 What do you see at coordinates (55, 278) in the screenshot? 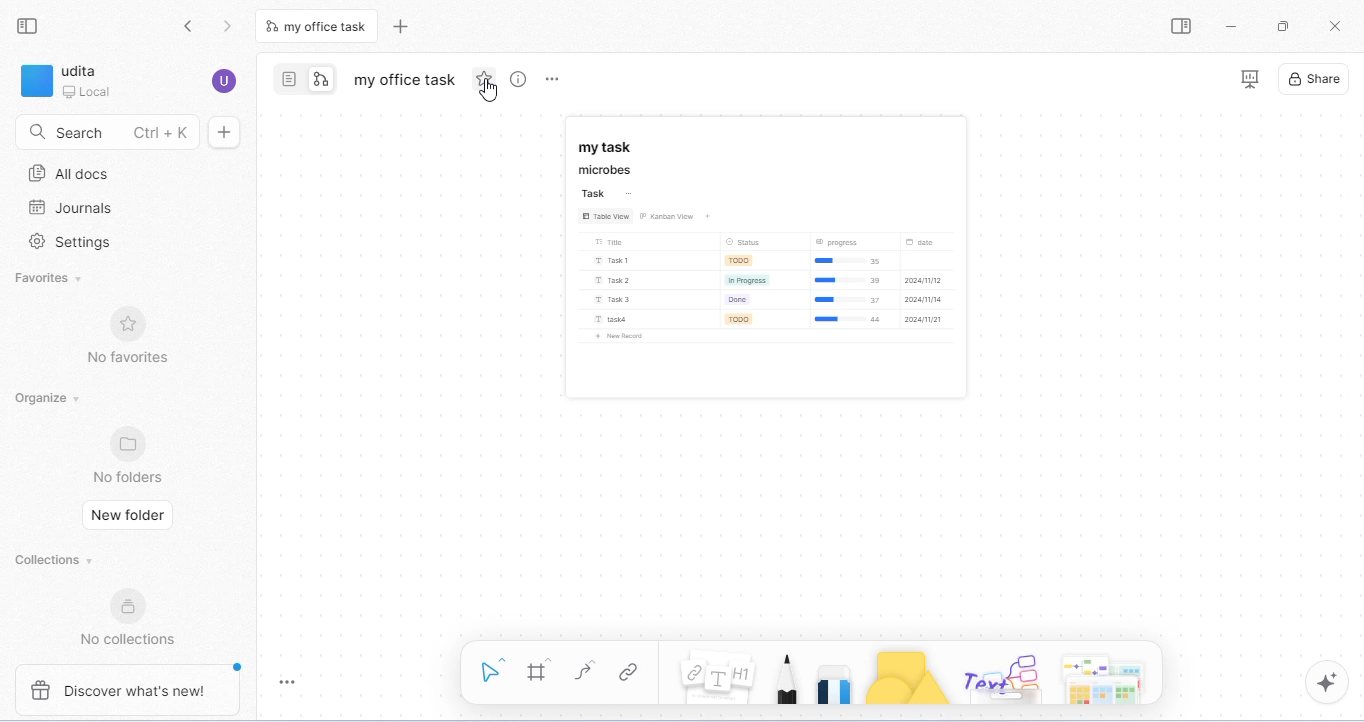
I see `favorites` at bounding box center [55, 278].